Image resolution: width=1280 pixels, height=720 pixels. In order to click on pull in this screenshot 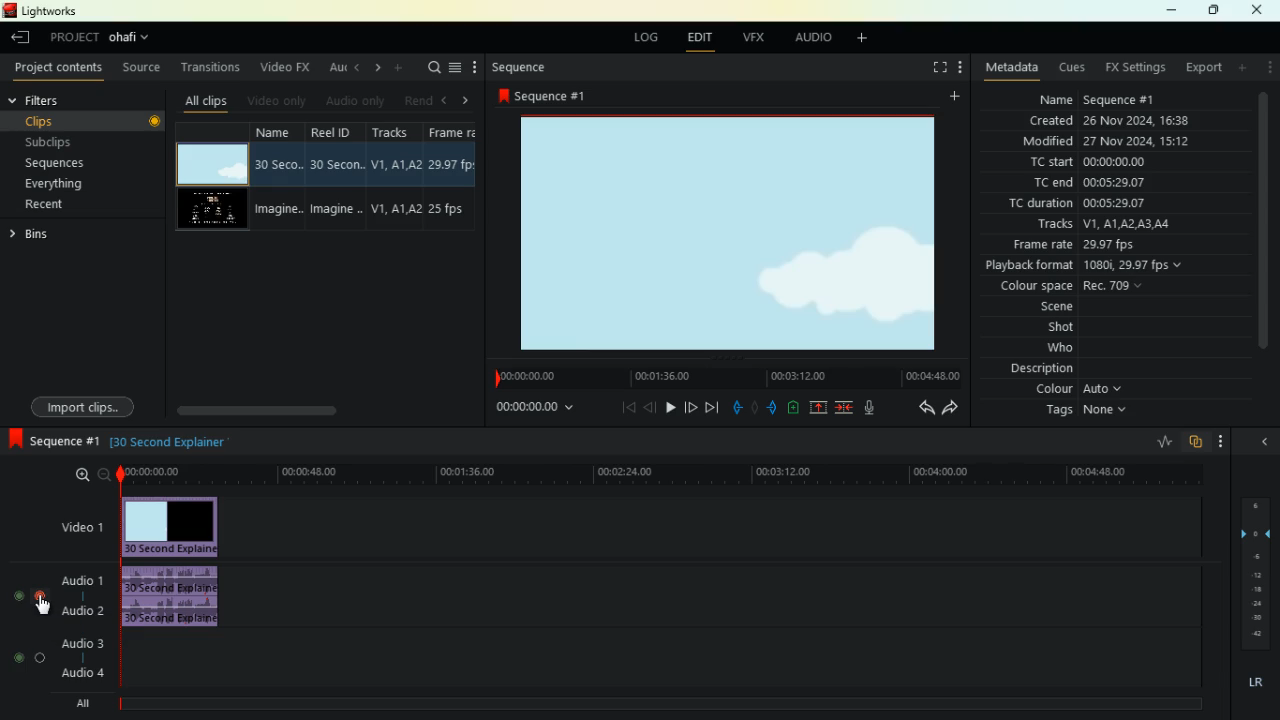, I will do `click(736, 409)`.